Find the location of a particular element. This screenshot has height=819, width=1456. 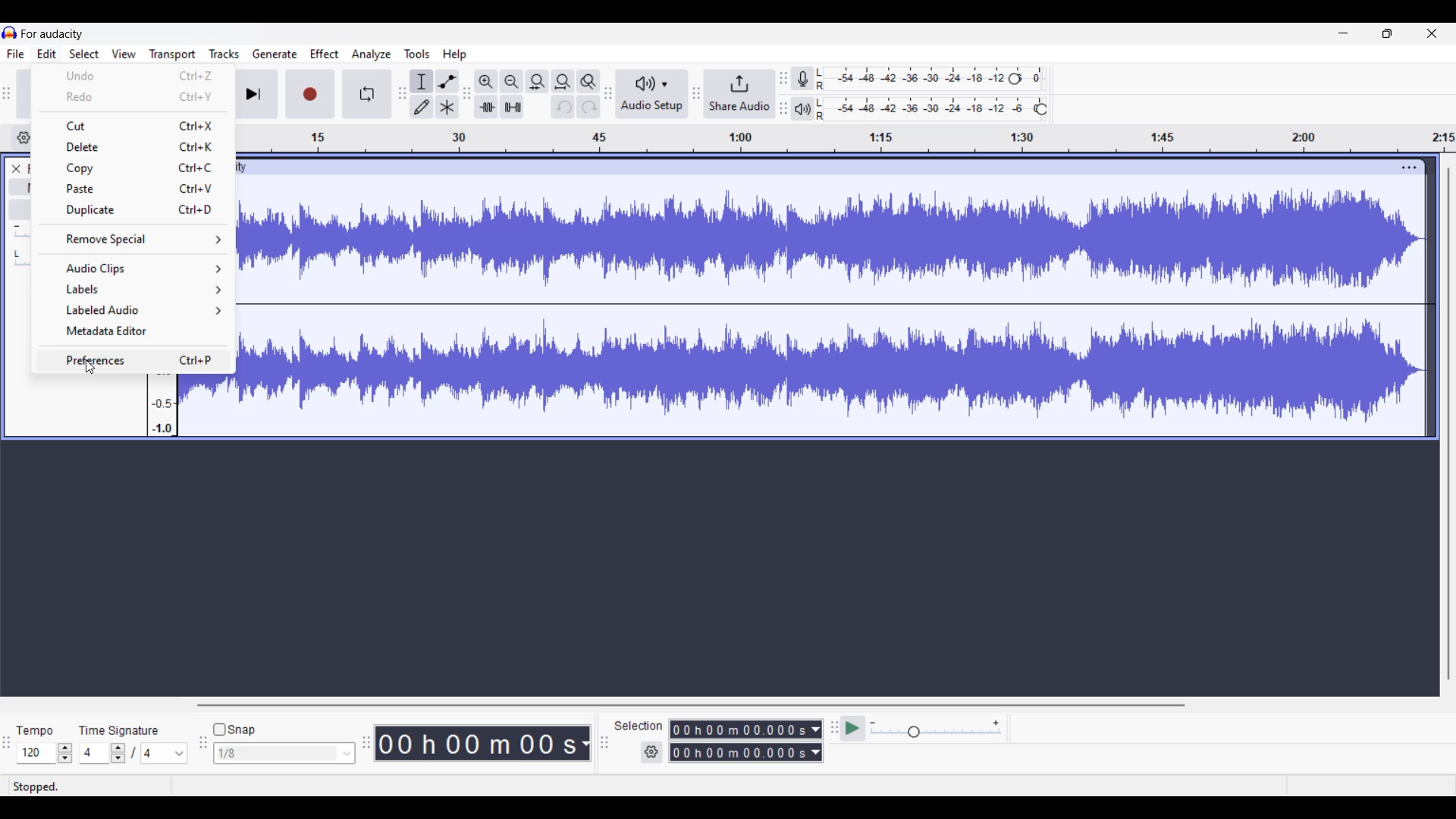

Playback meter is located at coordinates (802, 108).